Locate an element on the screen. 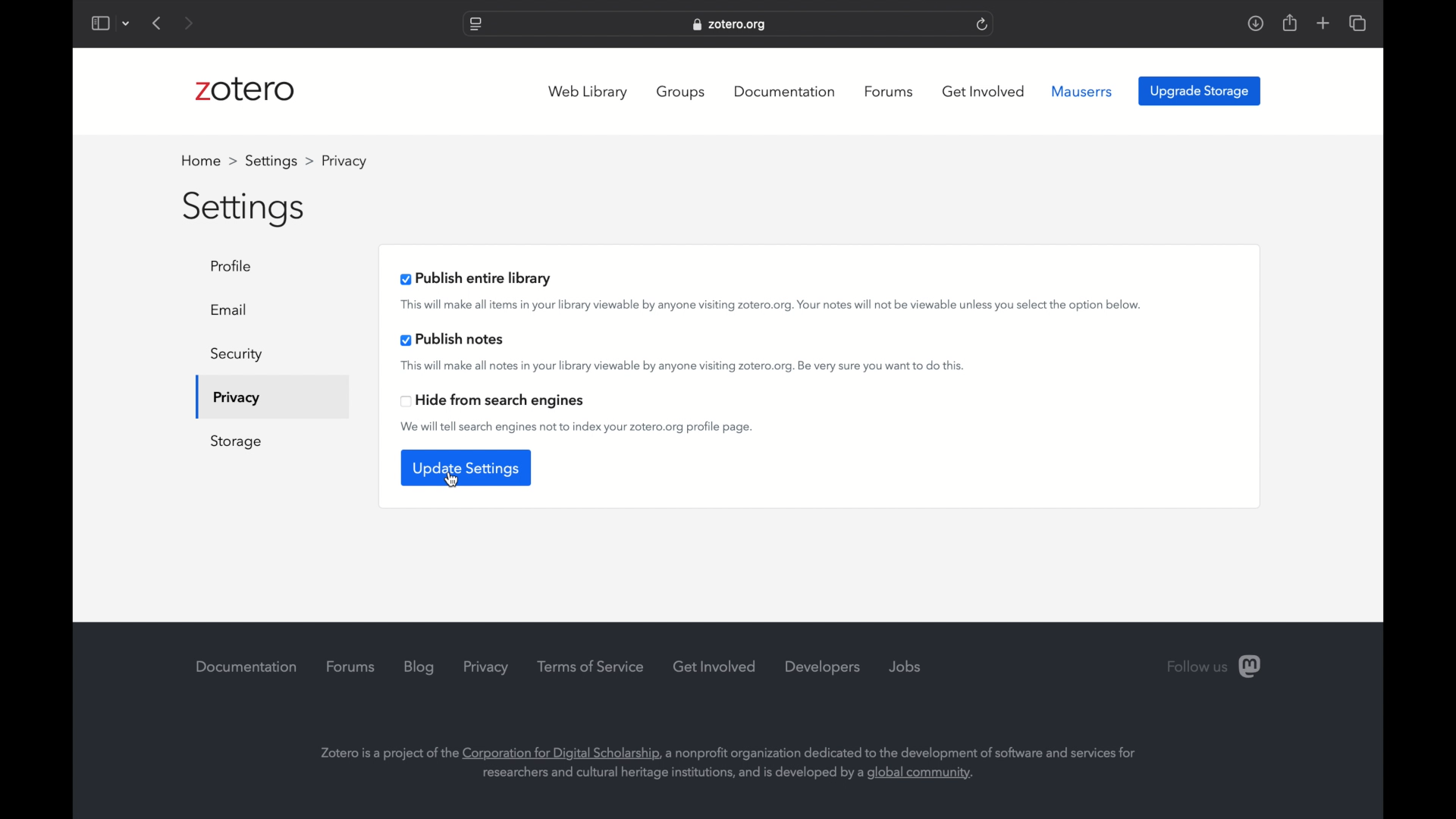 The width and height of the screenshot is (1456, 819). refresh is located at coordinates (983, 24).